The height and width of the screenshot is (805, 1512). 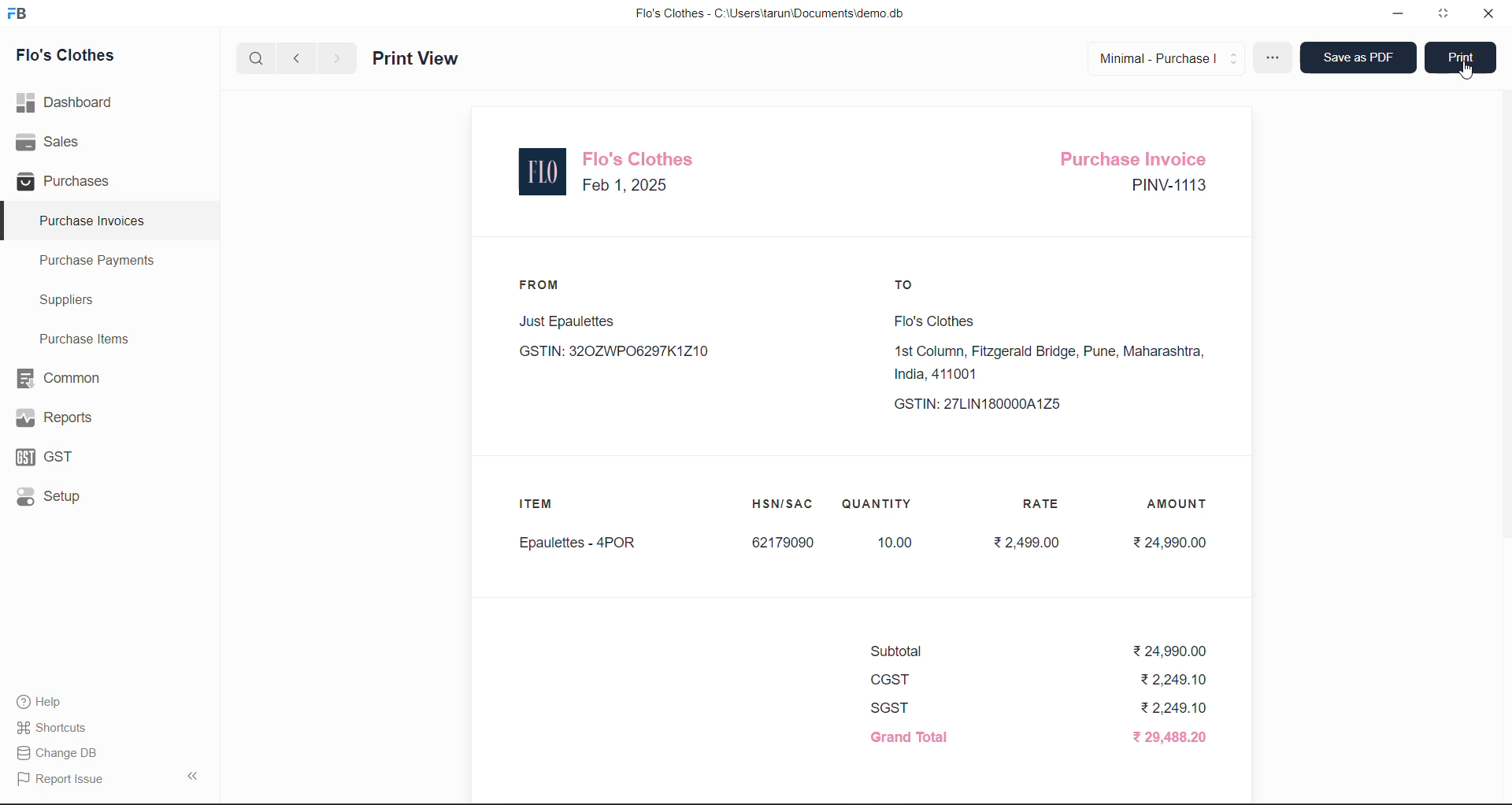 What do you see at coordinates (61, 752) in the screenshot?
I see `| Change DB` at bounding box center [61, 752].